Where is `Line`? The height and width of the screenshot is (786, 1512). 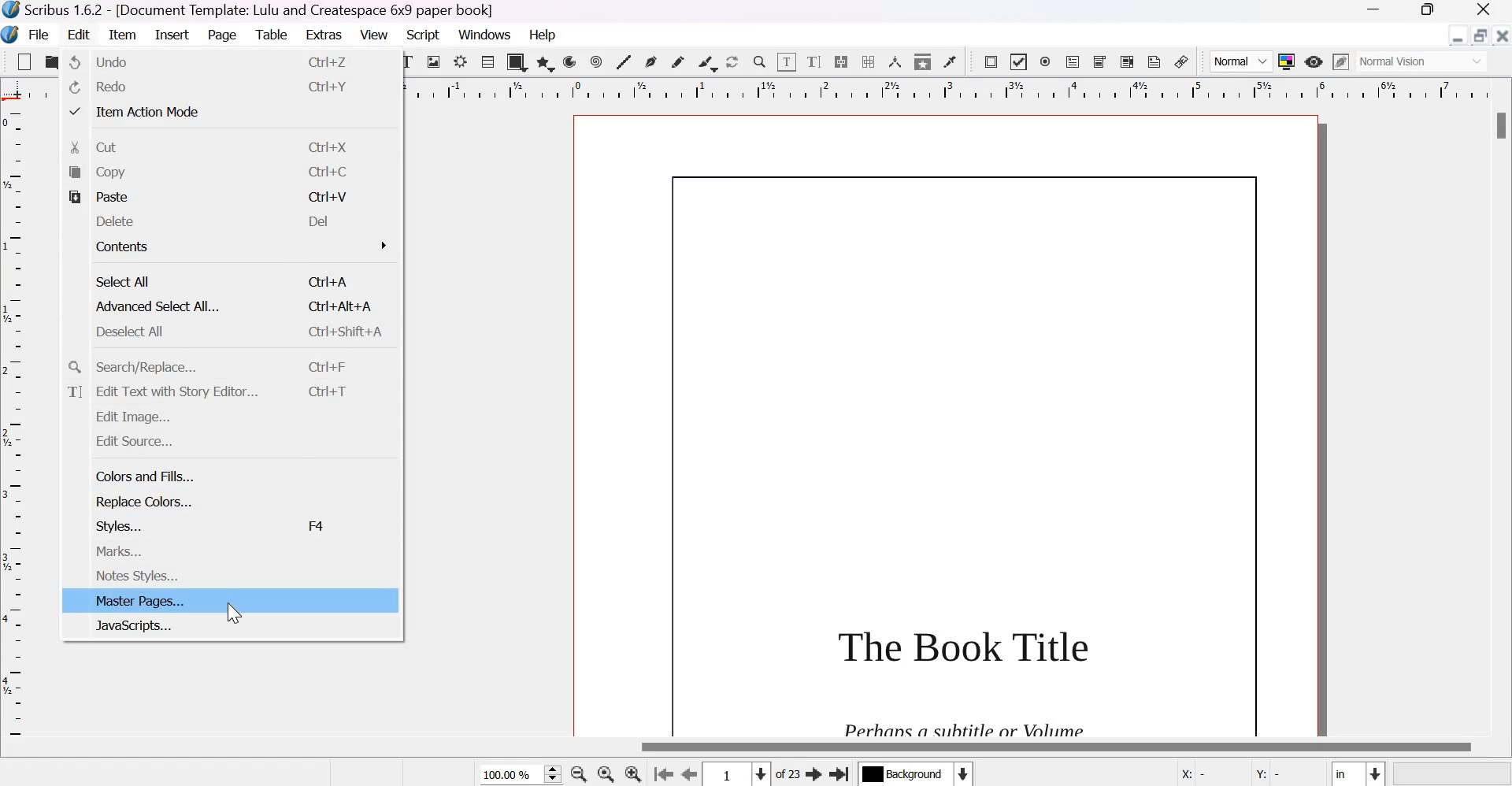
Line is located at coordinates (624, 63).